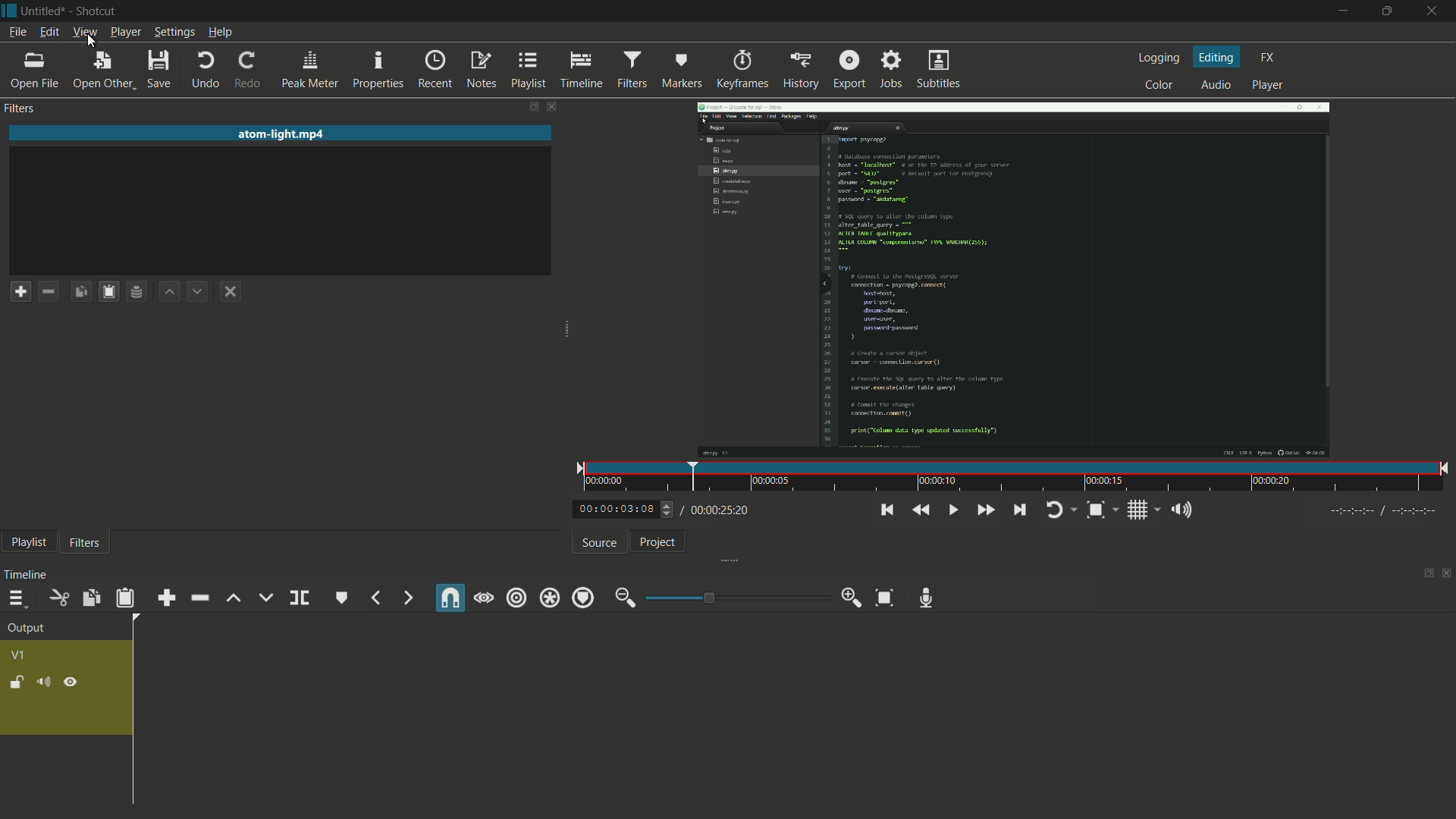  Describe the element at coordinates (1004, 281) in the screenshot. I see `imported video` at that location.